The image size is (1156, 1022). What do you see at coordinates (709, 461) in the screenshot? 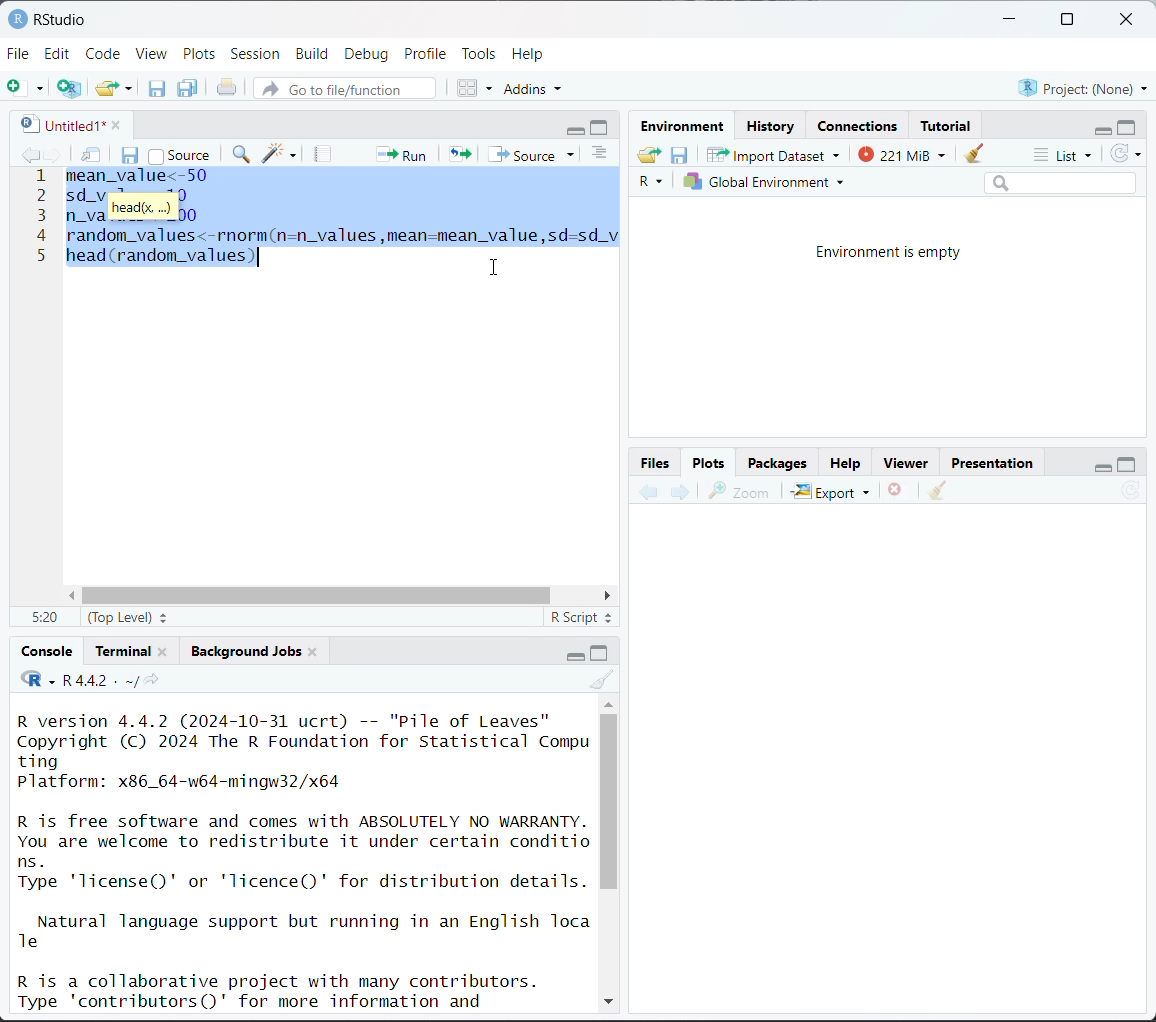
I see `Plots` at bounding box center [709, 461].